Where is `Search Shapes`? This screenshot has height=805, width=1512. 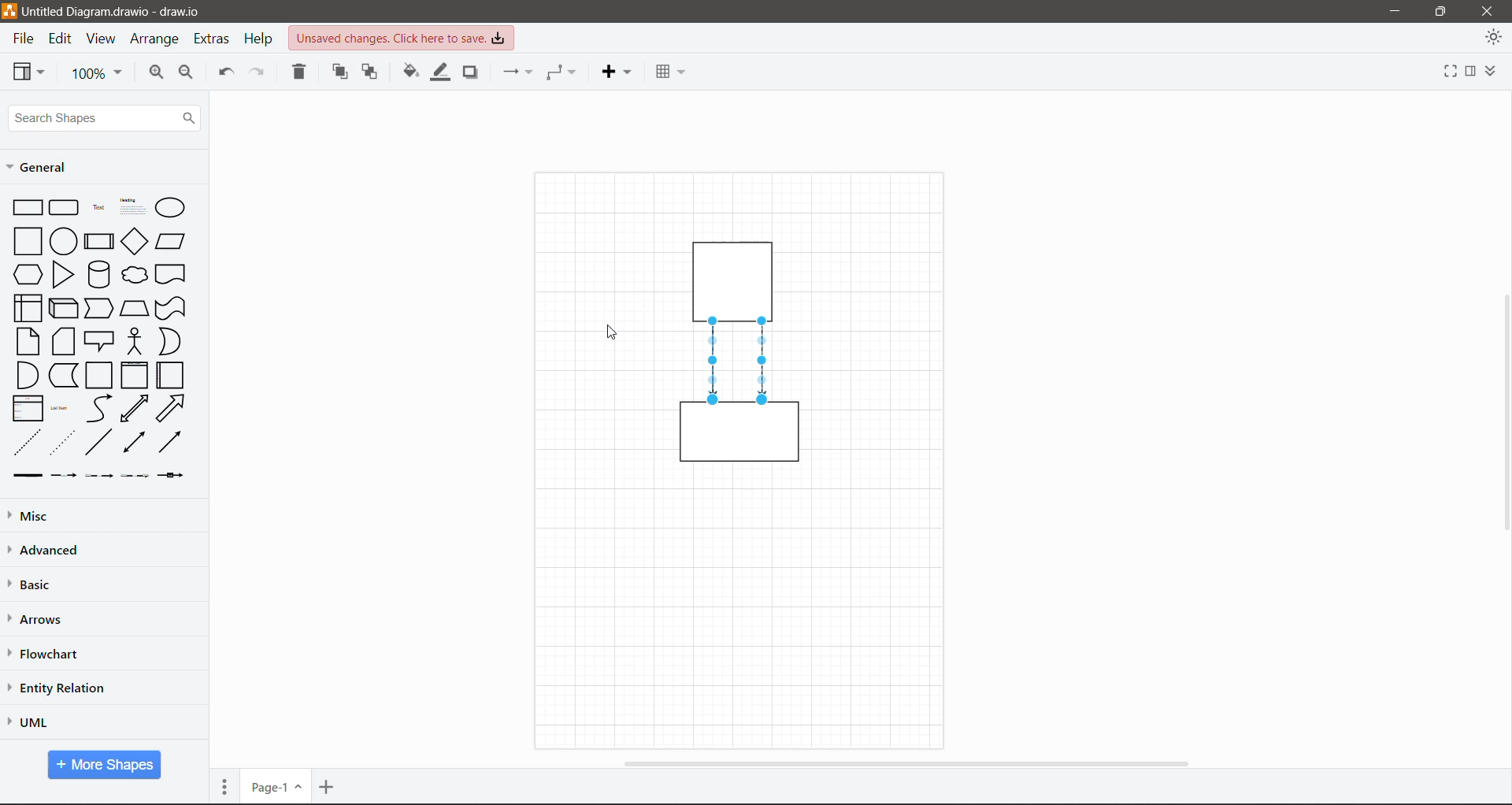
Search Shapes is located at coordinates (104, 118).